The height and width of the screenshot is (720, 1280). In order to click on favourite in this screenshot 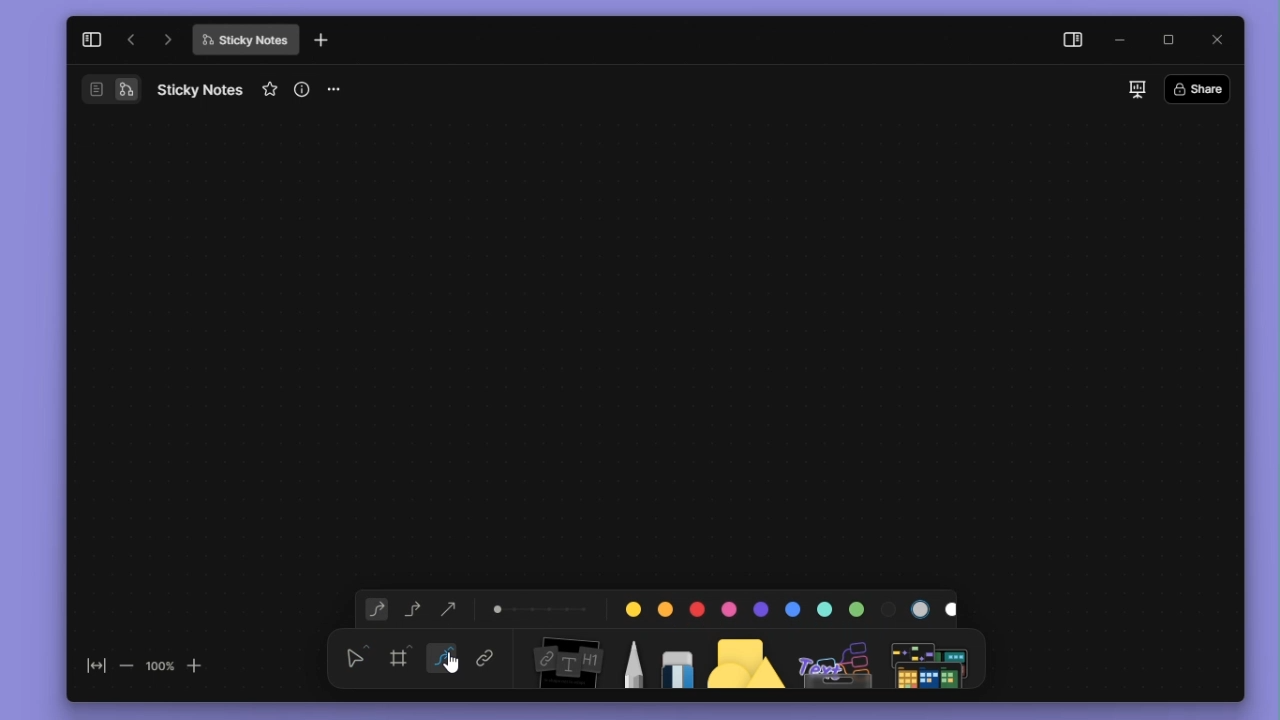, I will do `click(272, 90)`.